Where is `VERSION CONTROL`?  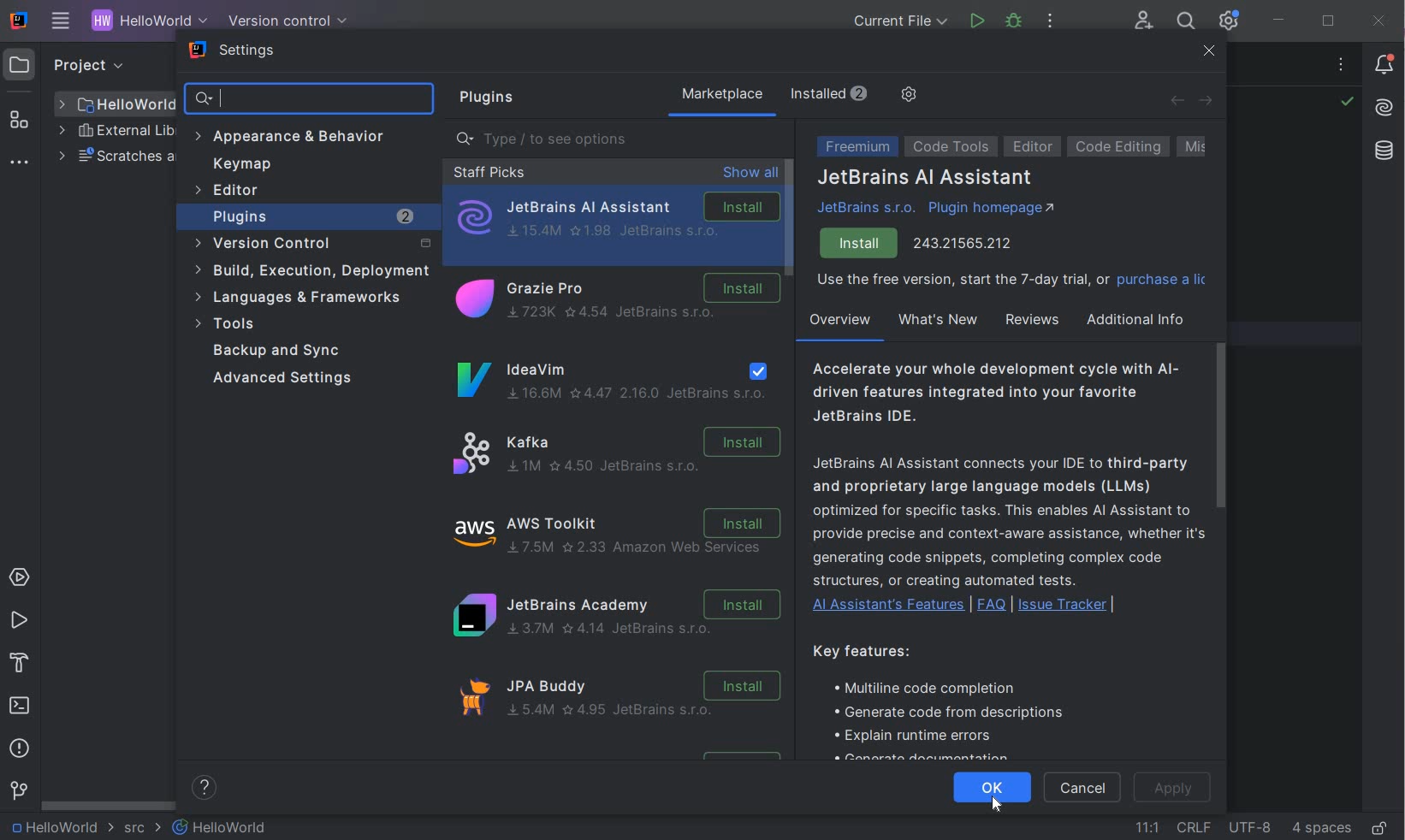
VERSION CONTROL is located at coordinates (18, 790).